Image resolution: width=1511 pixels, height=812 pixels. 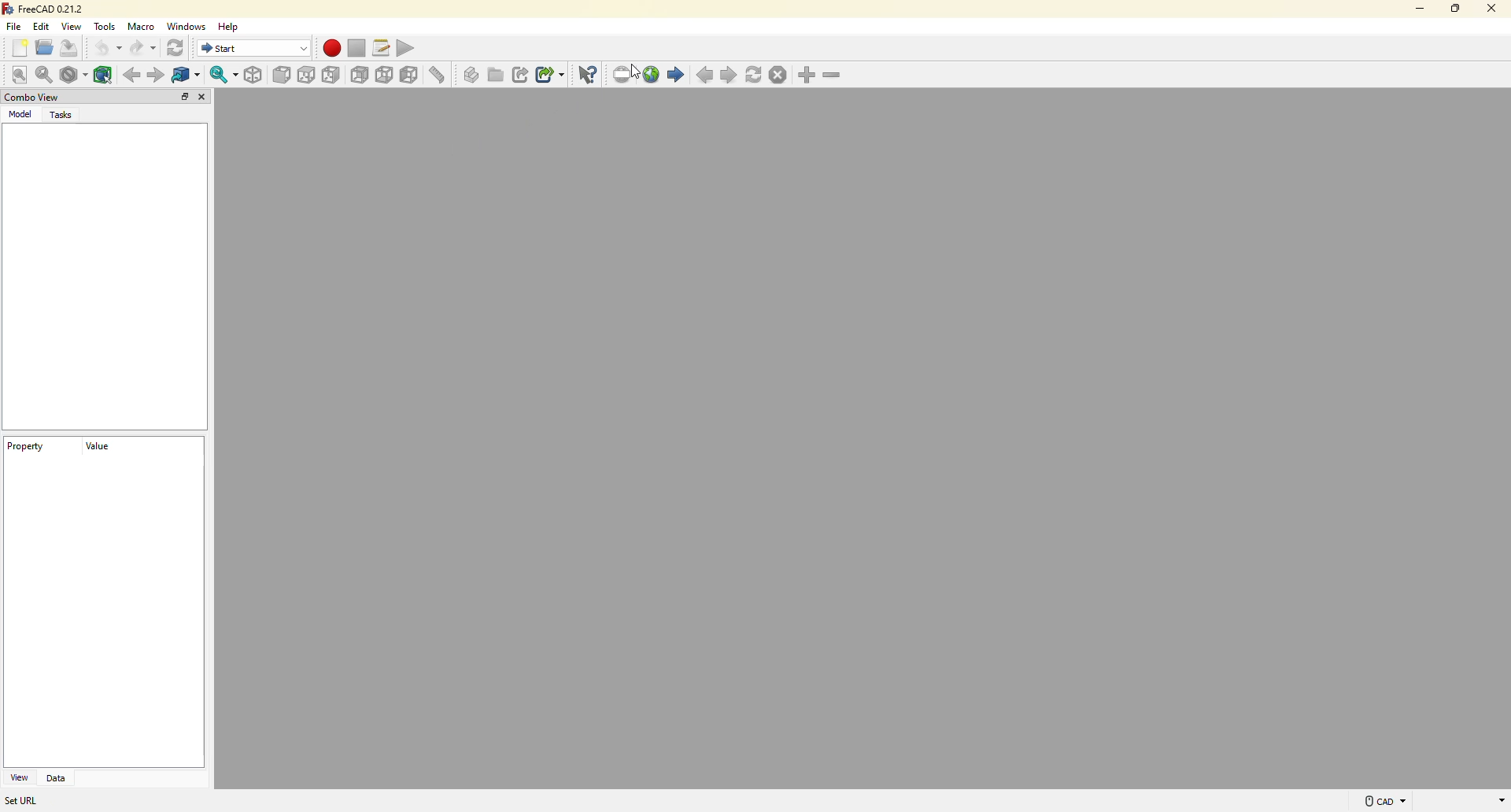 What do you see at coordinates (333, 75) in the screenshot?
I see `right` at bounding box center [333, 75].